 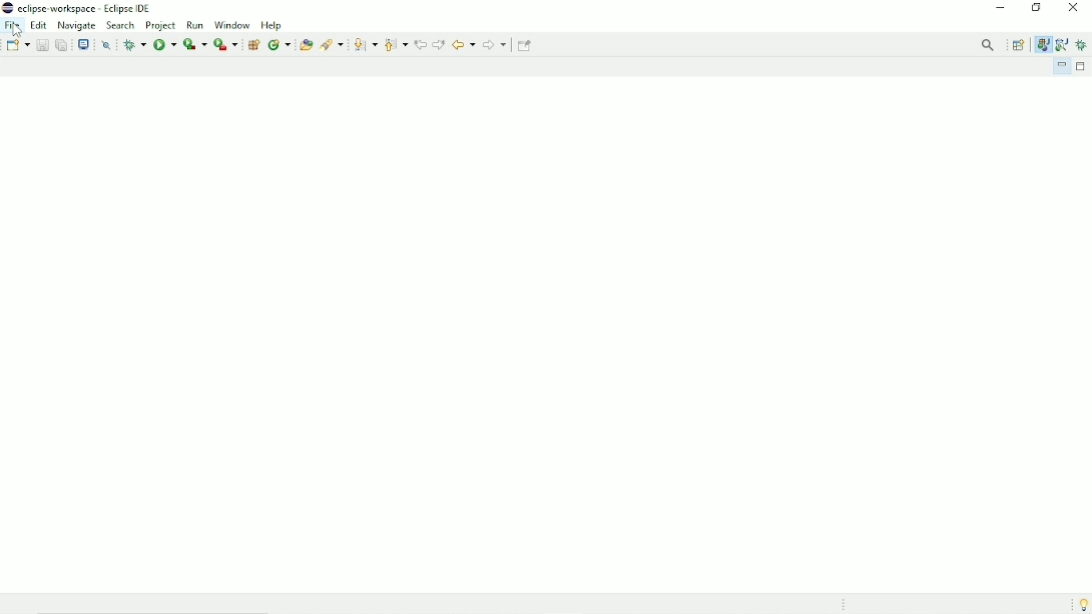 I want to click on File, so click(x=12, y=25).